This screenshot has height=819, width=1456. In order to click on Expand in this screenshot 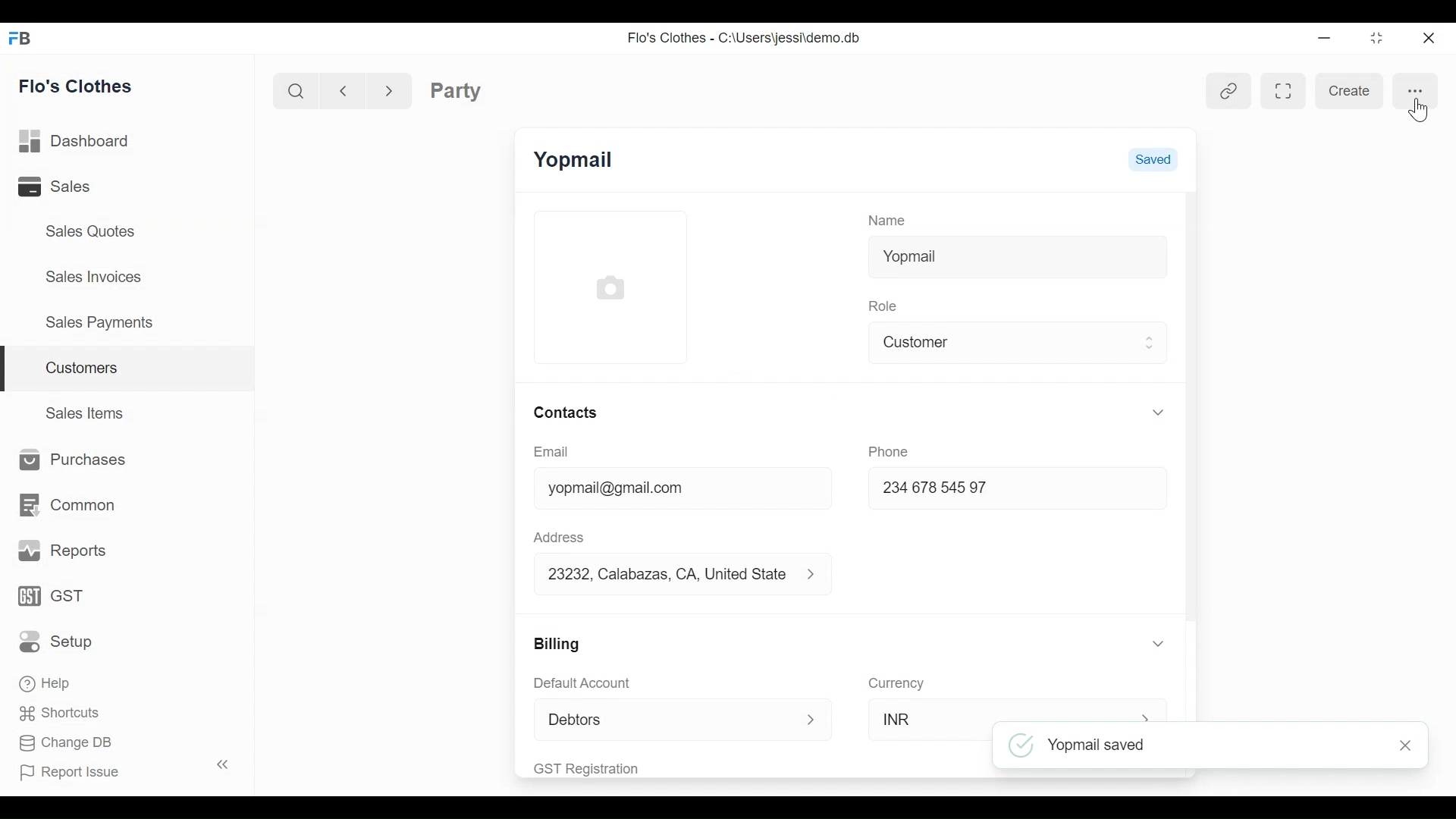, I will do `click(821, 576)`.